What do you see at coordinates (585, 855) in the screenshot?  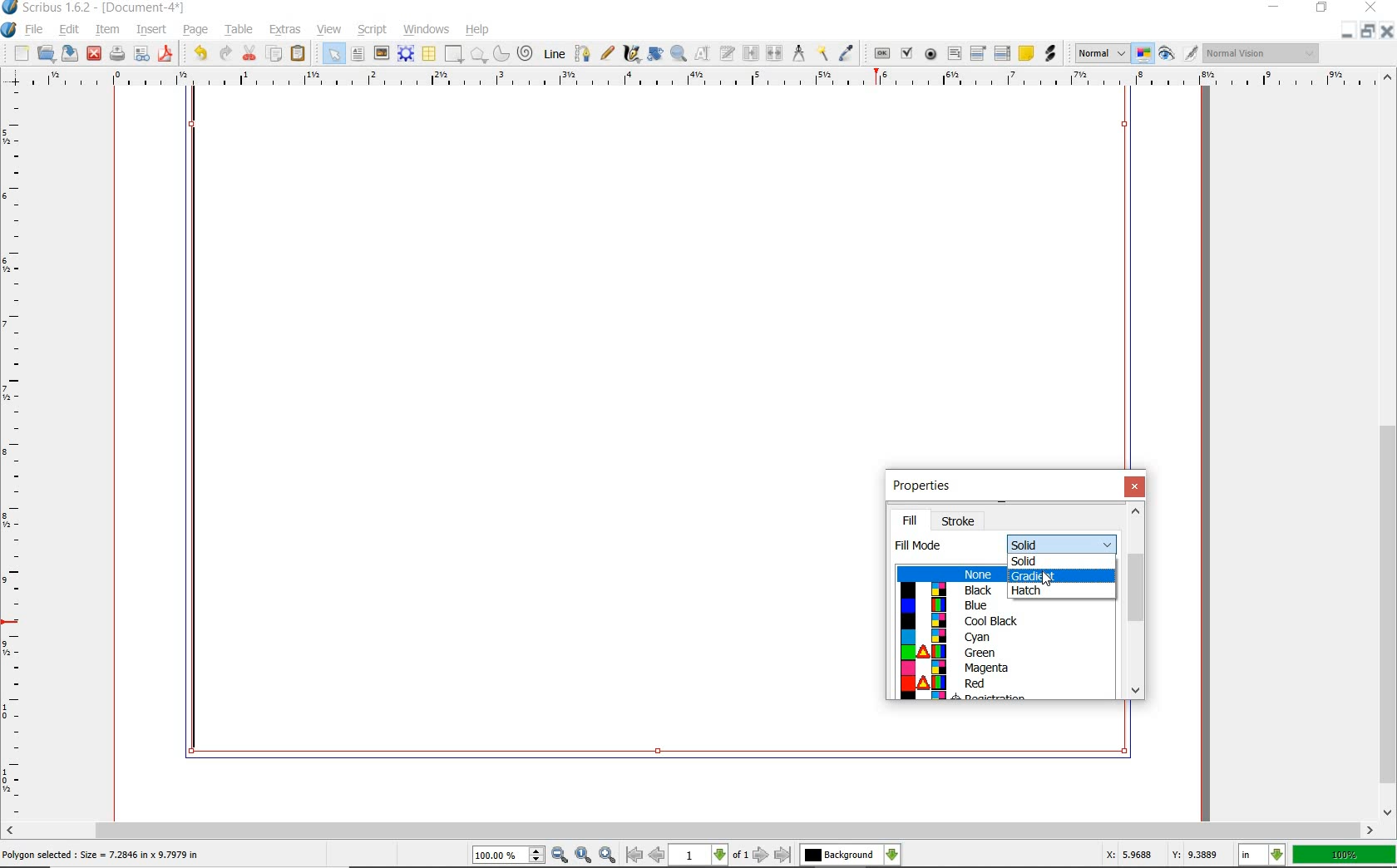 I see `zoom to 100%` at bounding box center [585, 855].